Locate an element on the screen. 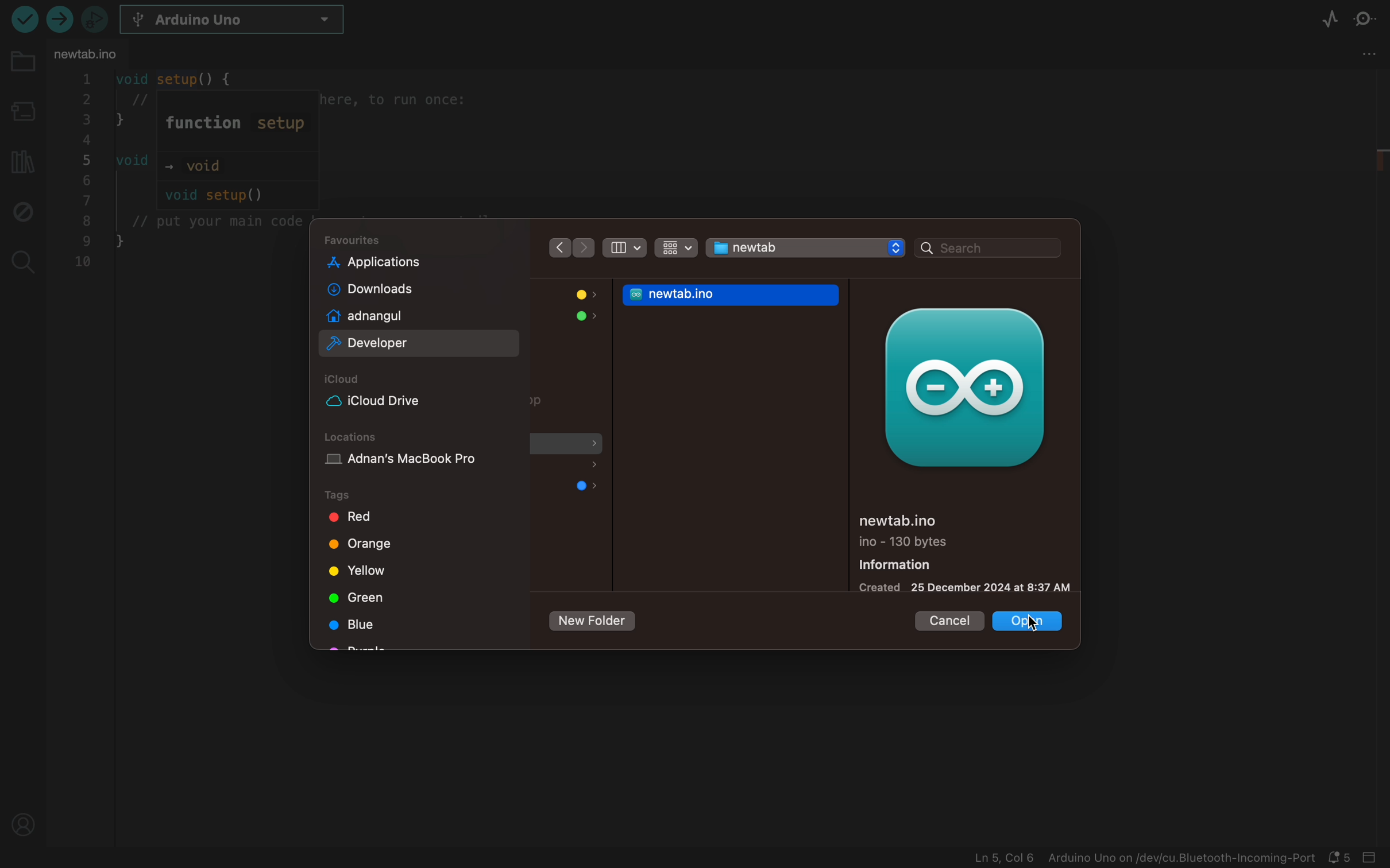 The image size is (1390, 868). select folder is located at coordinates (807, 247).